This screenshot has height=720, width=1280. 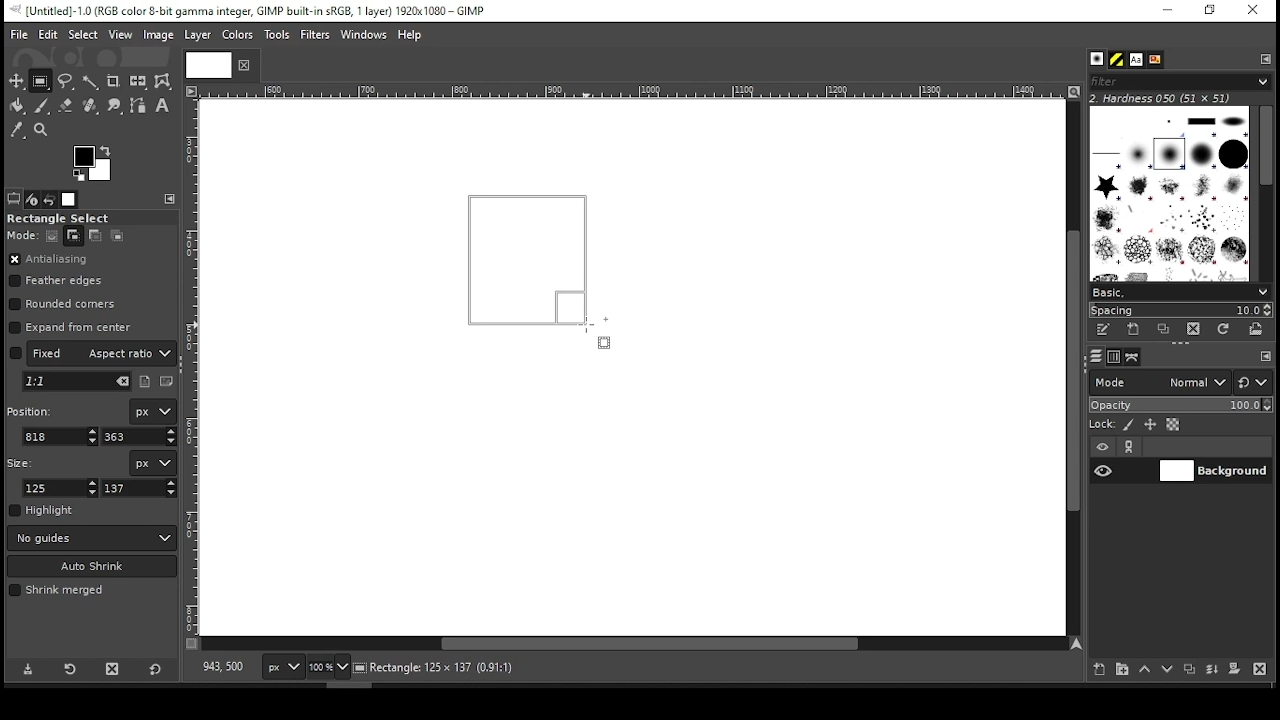 What do you see at coordinates (1159, 384) in the screenshot?
I see `mode` at bounding box center [1159, 384].